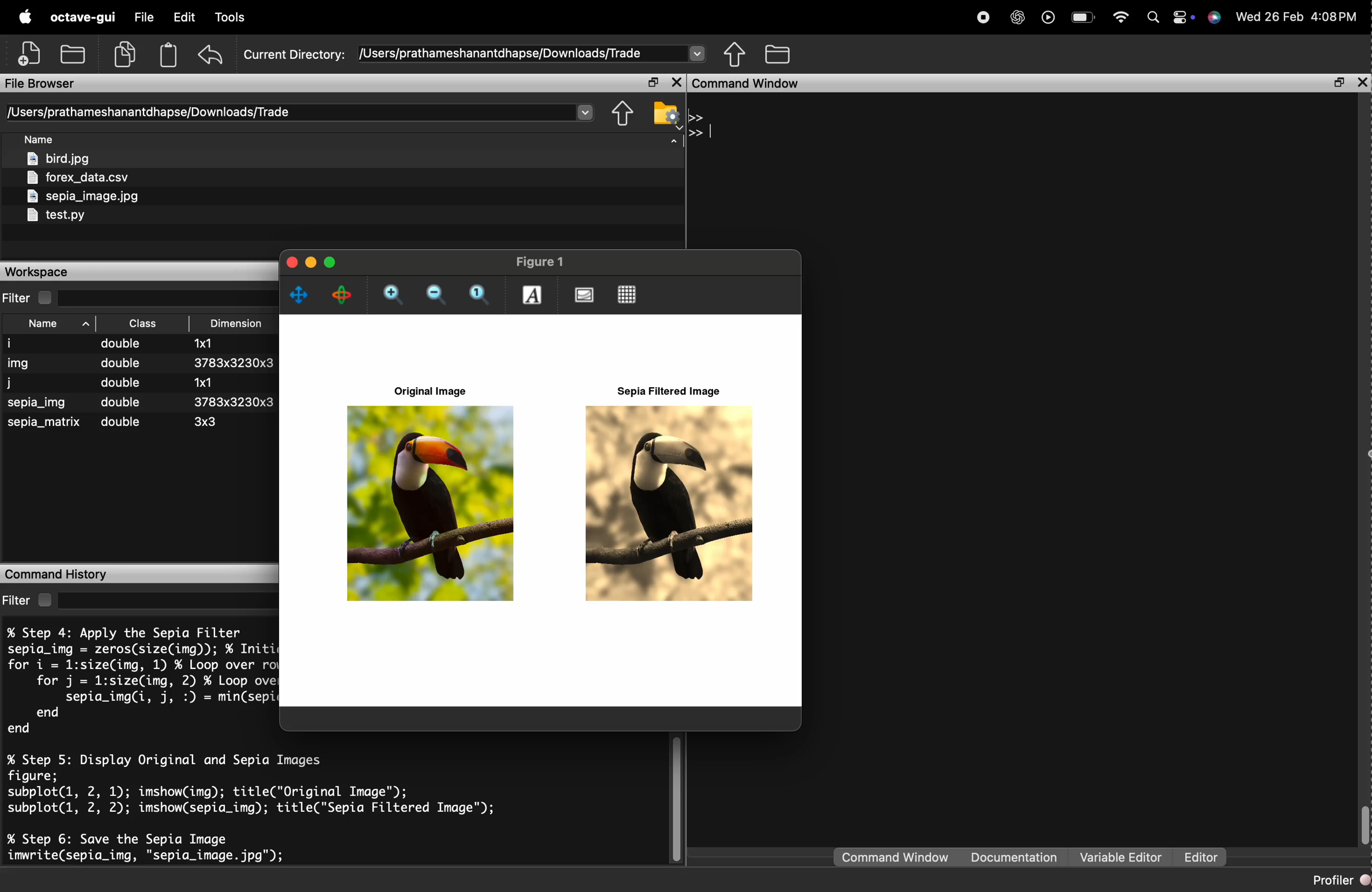 The width and height of the screenshot is (1372, 892). What do you see at coordinates (984, 18) in the screenshot?
I see `stop recording` at bounding box center [984, 18].